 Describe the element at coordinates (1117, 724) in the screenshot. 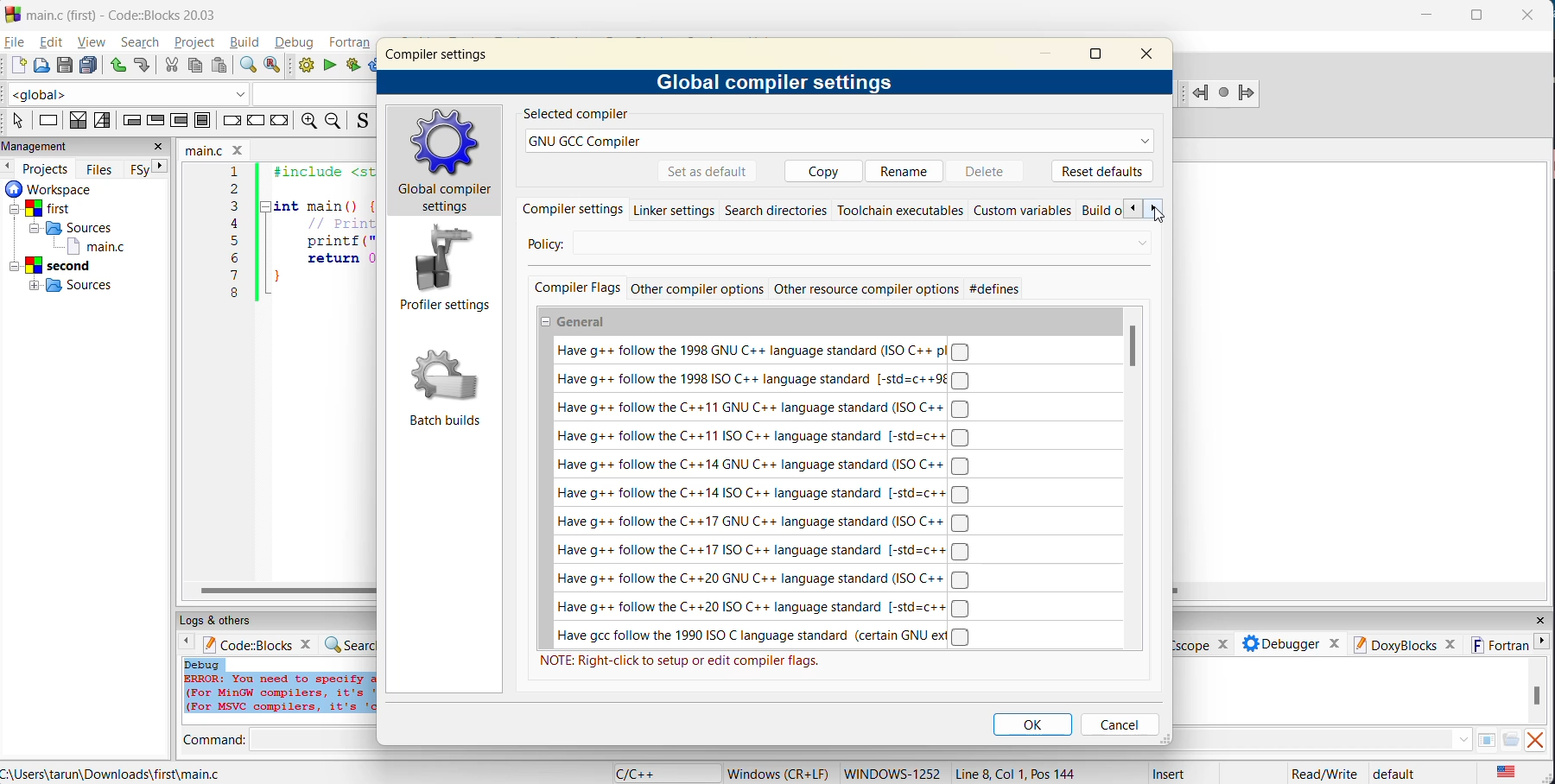

I see `cancel` at that location.